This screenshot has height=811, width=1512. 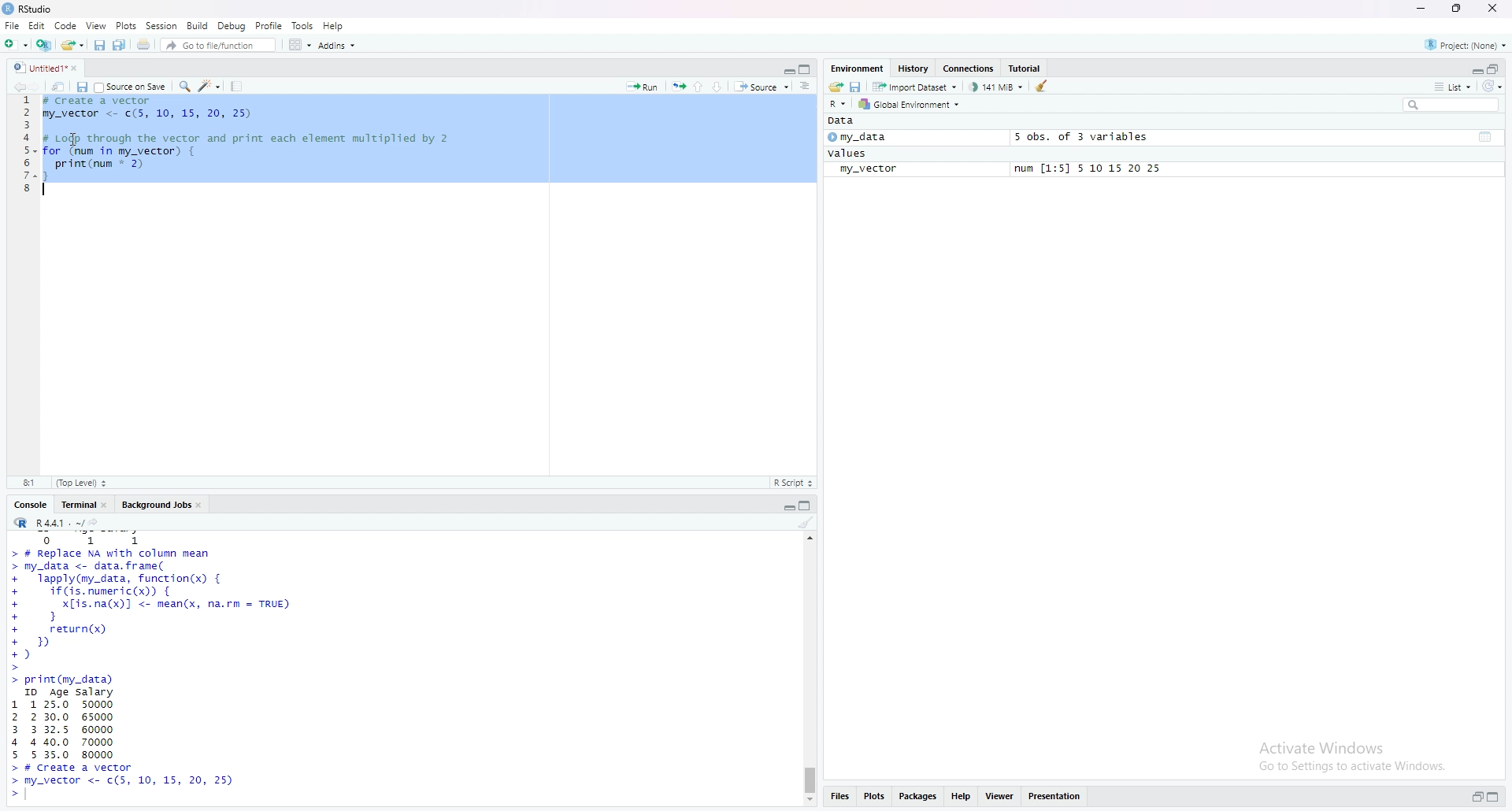 What do you see at coordinates (836, 87) in the screenshot?
I see `load workspace` at bounding box center [836, 87].